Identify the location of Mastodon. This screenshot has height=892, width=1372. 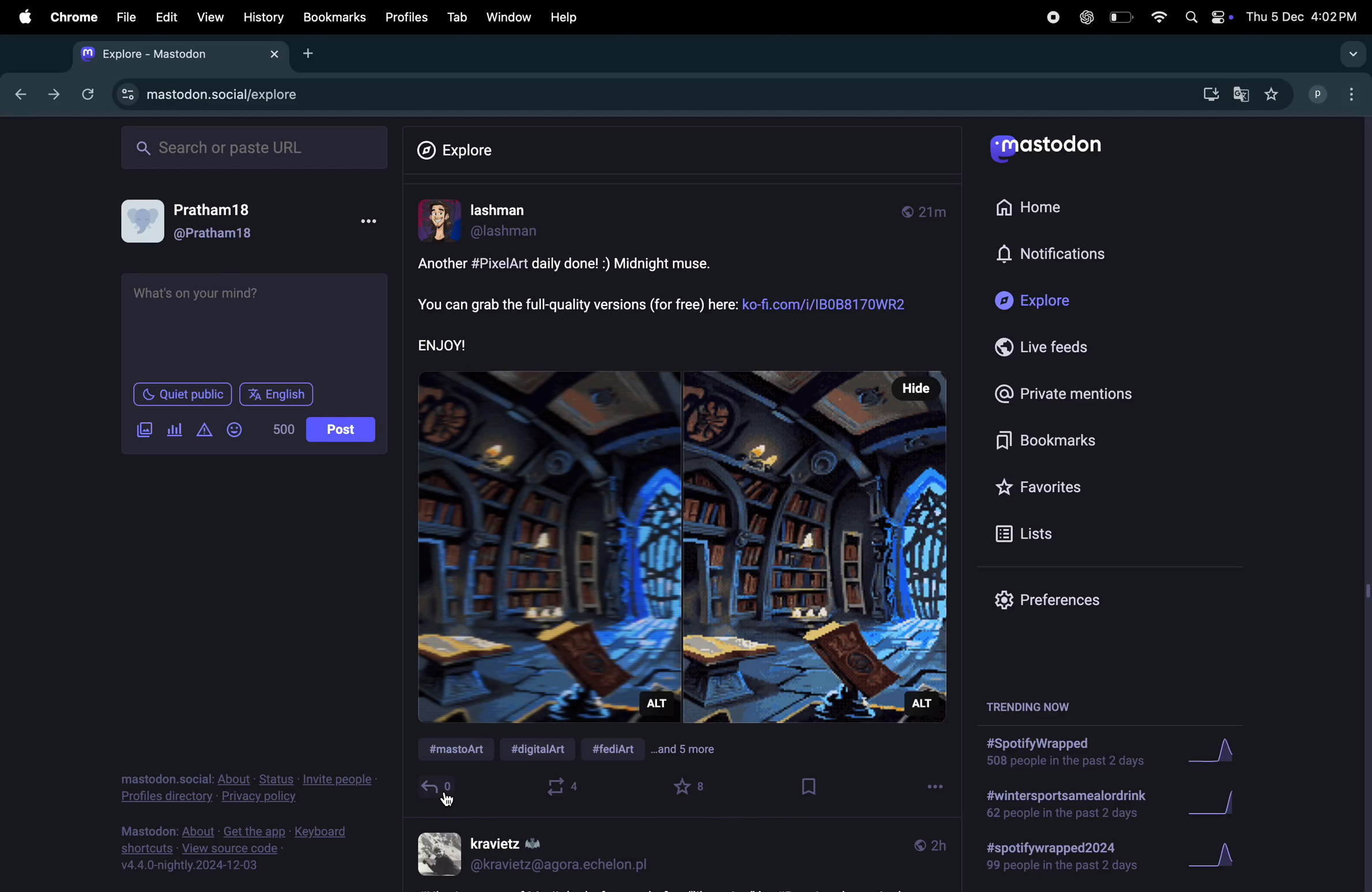
(1053, 146).